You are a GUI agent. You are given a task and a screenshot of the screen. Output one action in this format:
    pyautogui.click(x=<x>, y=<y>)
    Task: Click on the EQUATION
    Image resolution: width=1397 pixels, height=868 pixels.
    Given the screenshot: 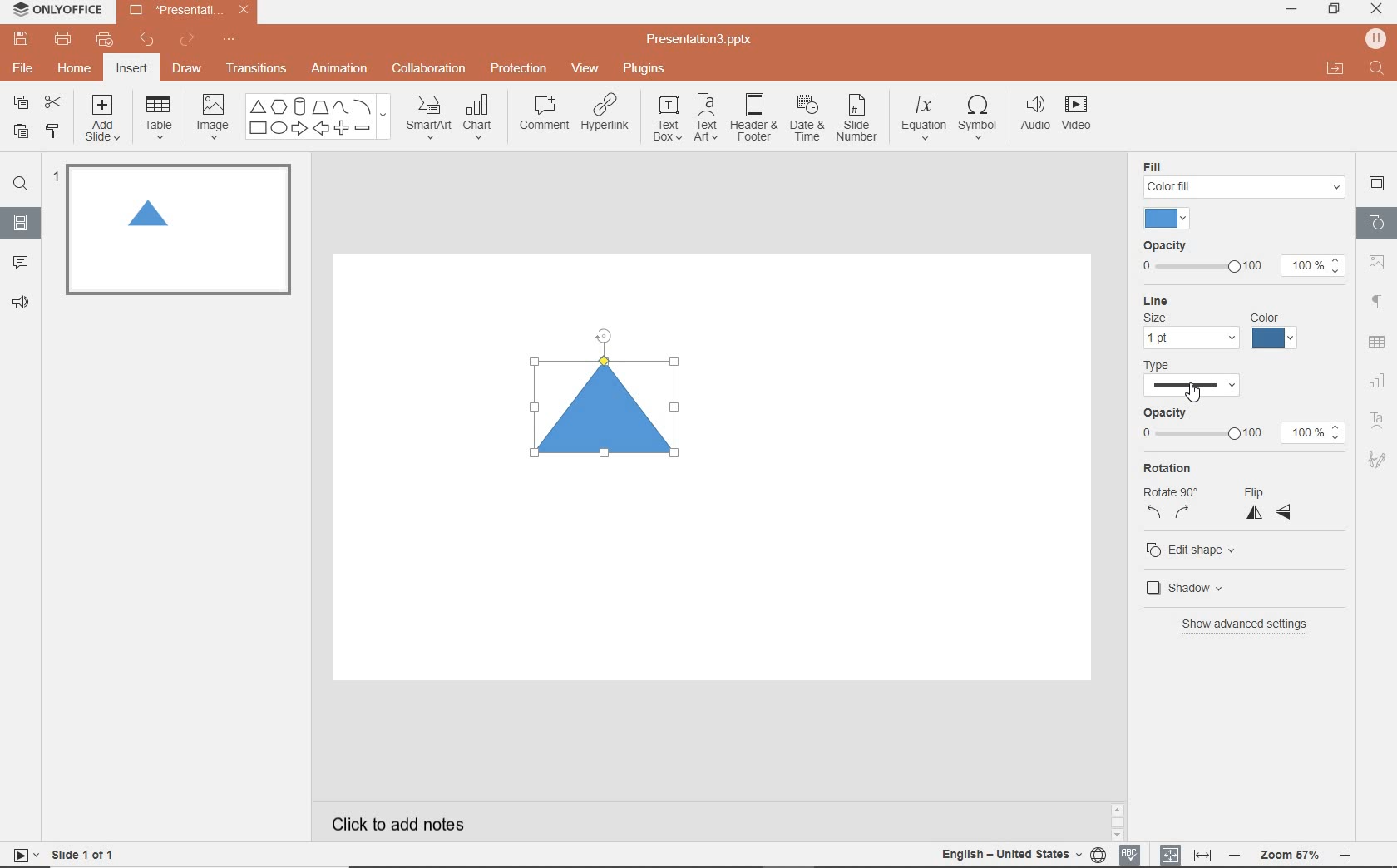 What is the action you would take?
    pyautogui.click(x=925, y=121)
    